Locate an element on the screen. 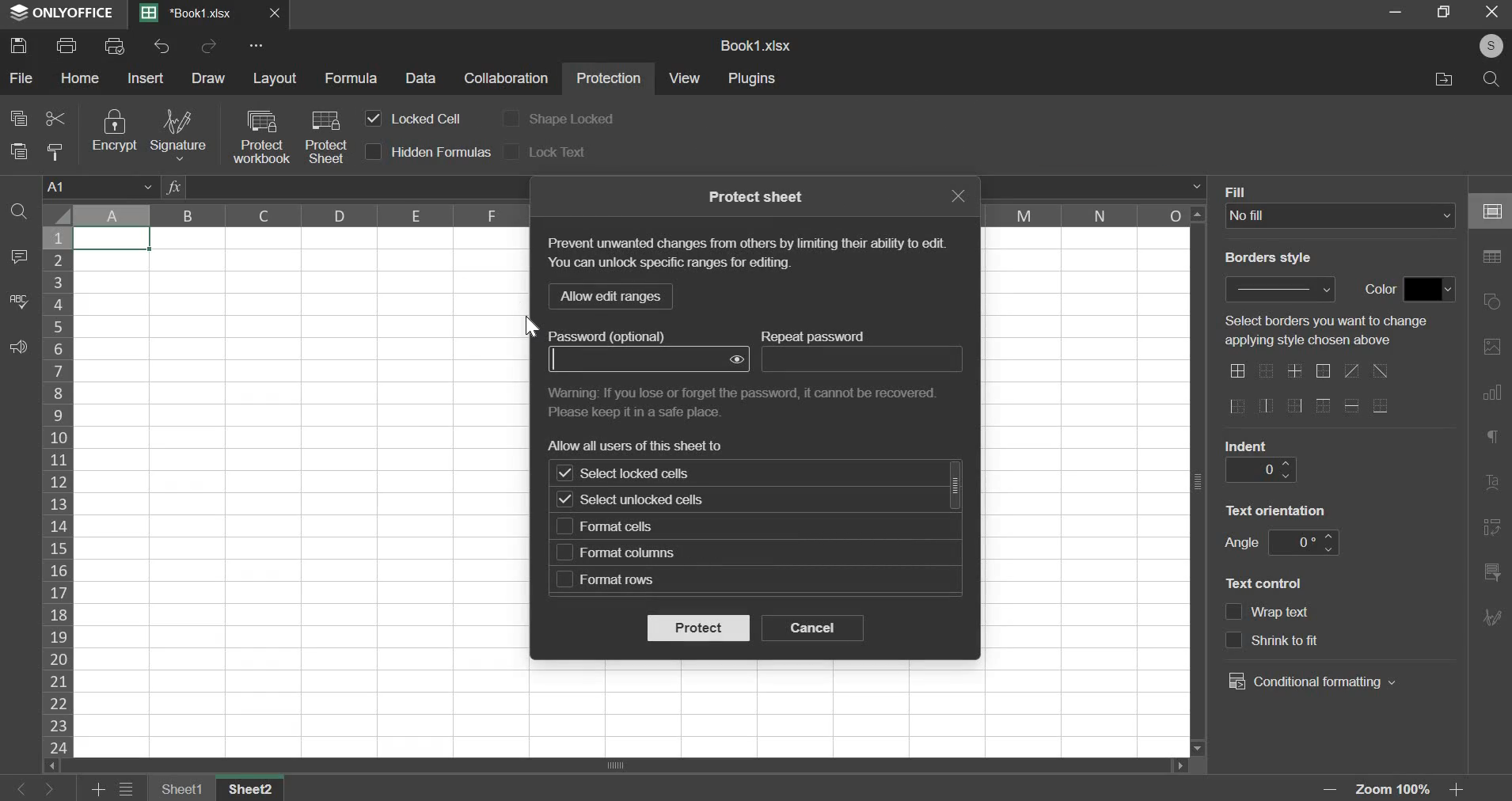 This screenshot has height=801, width=1512. Fill is located at coordinates (1239, 191).